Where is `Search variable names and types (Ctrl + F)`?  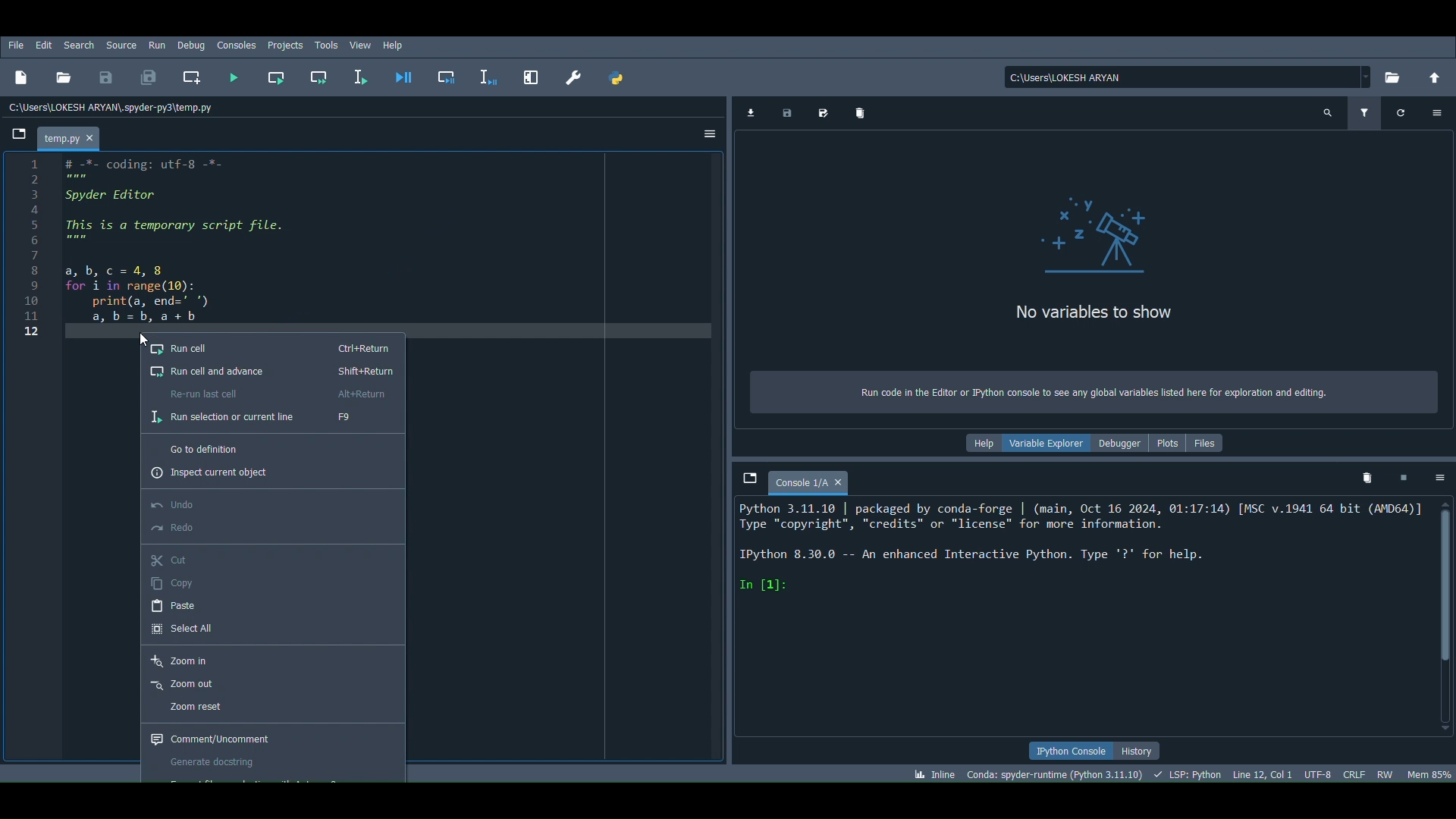 Search variable names and types (Ctrl + F) is located at coordinates (1329, 111).